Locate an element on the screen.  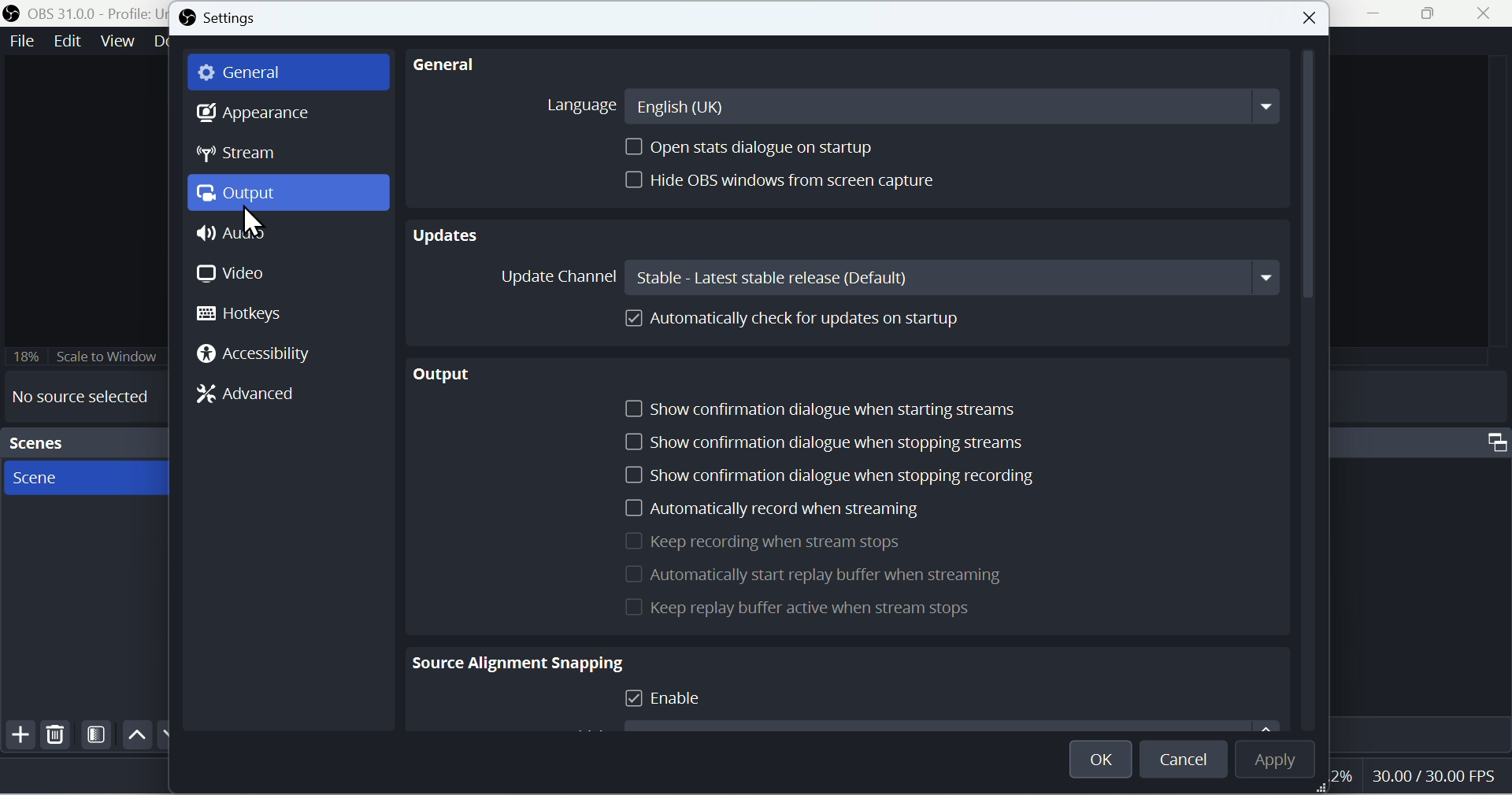
Langugae is located at coordinates (891, 107).